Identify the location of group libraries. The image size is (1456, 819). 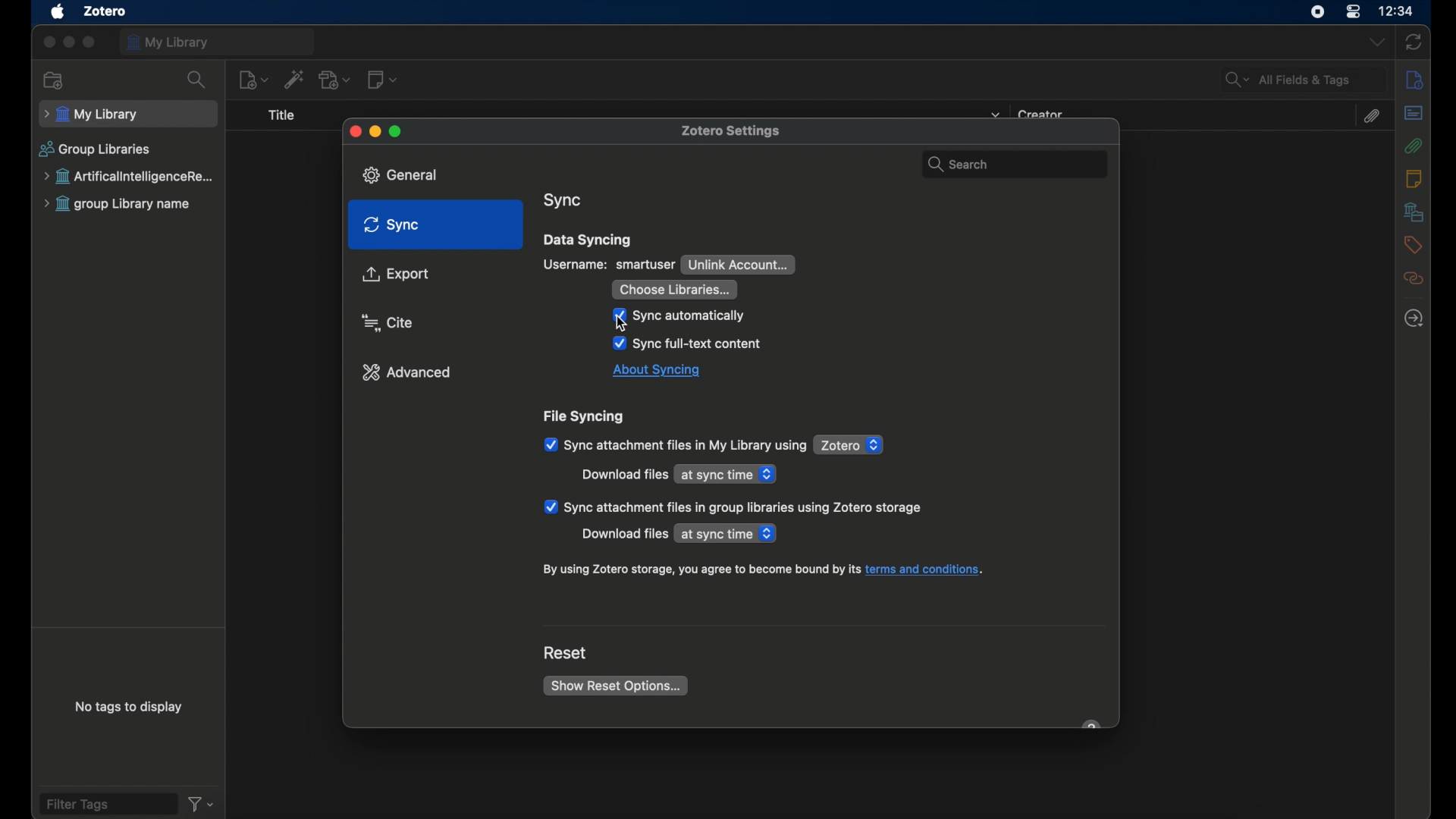
(95, 149).